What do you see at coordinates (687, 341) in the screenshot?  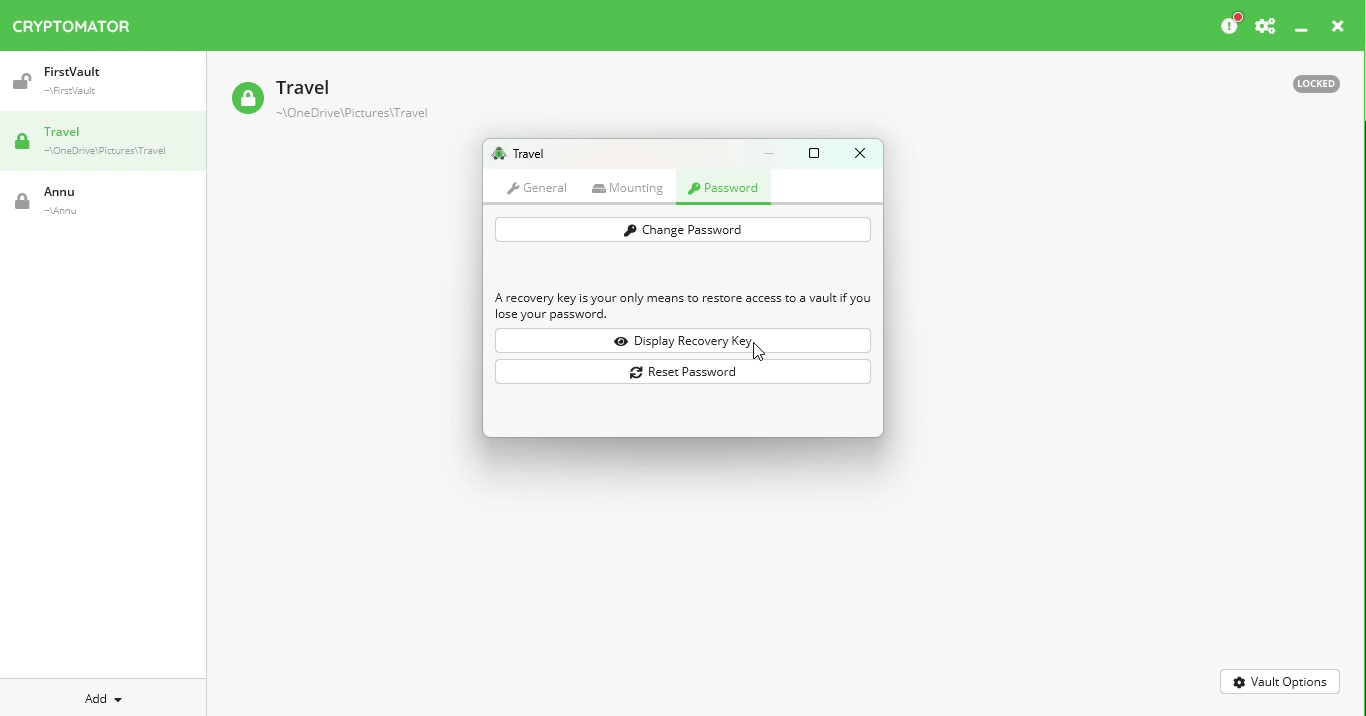 I see `Display recovery key` at bounding box center [687, 341].